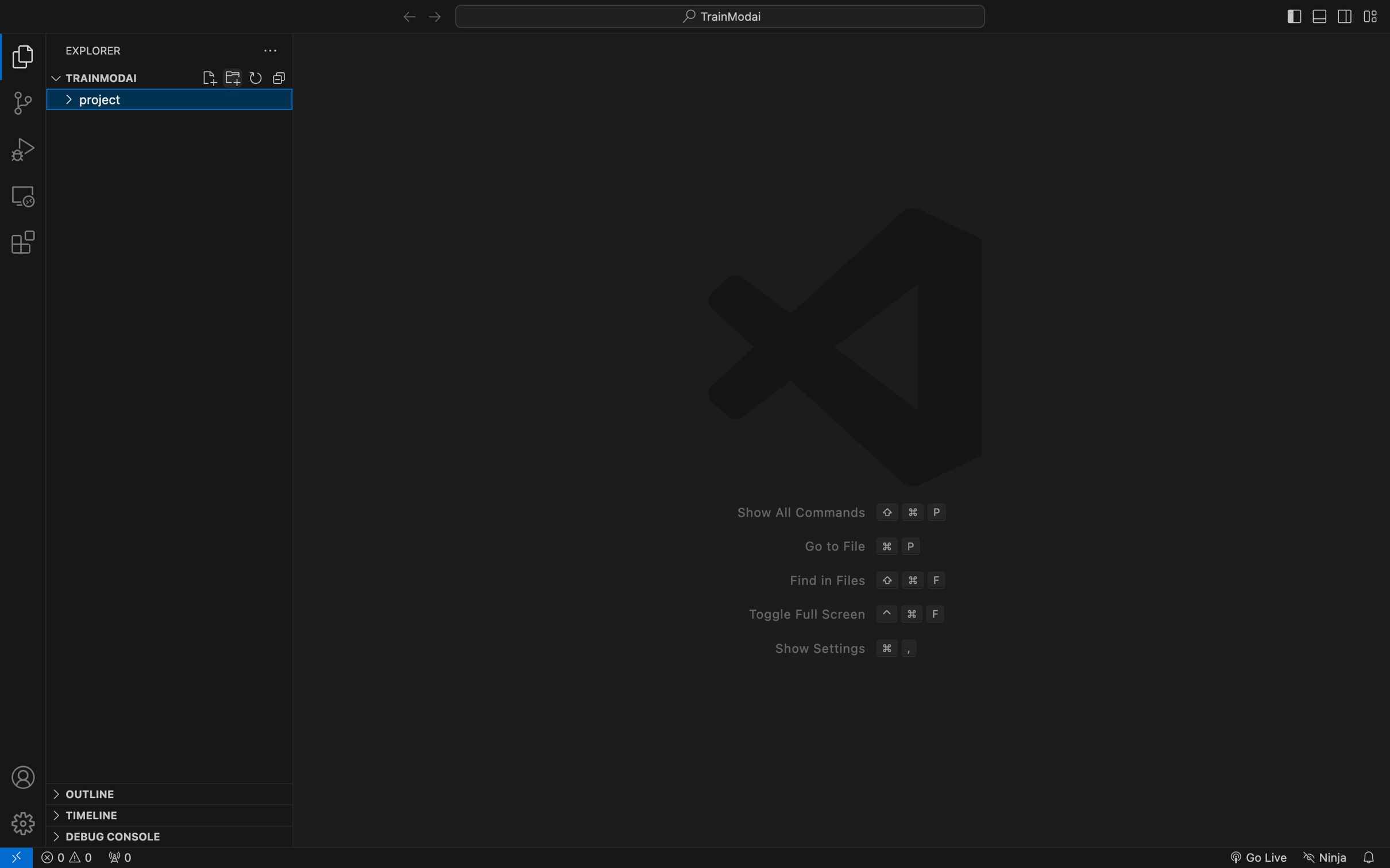 This screenshot has height=868, width=1390. What do you see at coordinates (88, 814) in the screenshot?
I see `time line` at bounding box center [88, 814].